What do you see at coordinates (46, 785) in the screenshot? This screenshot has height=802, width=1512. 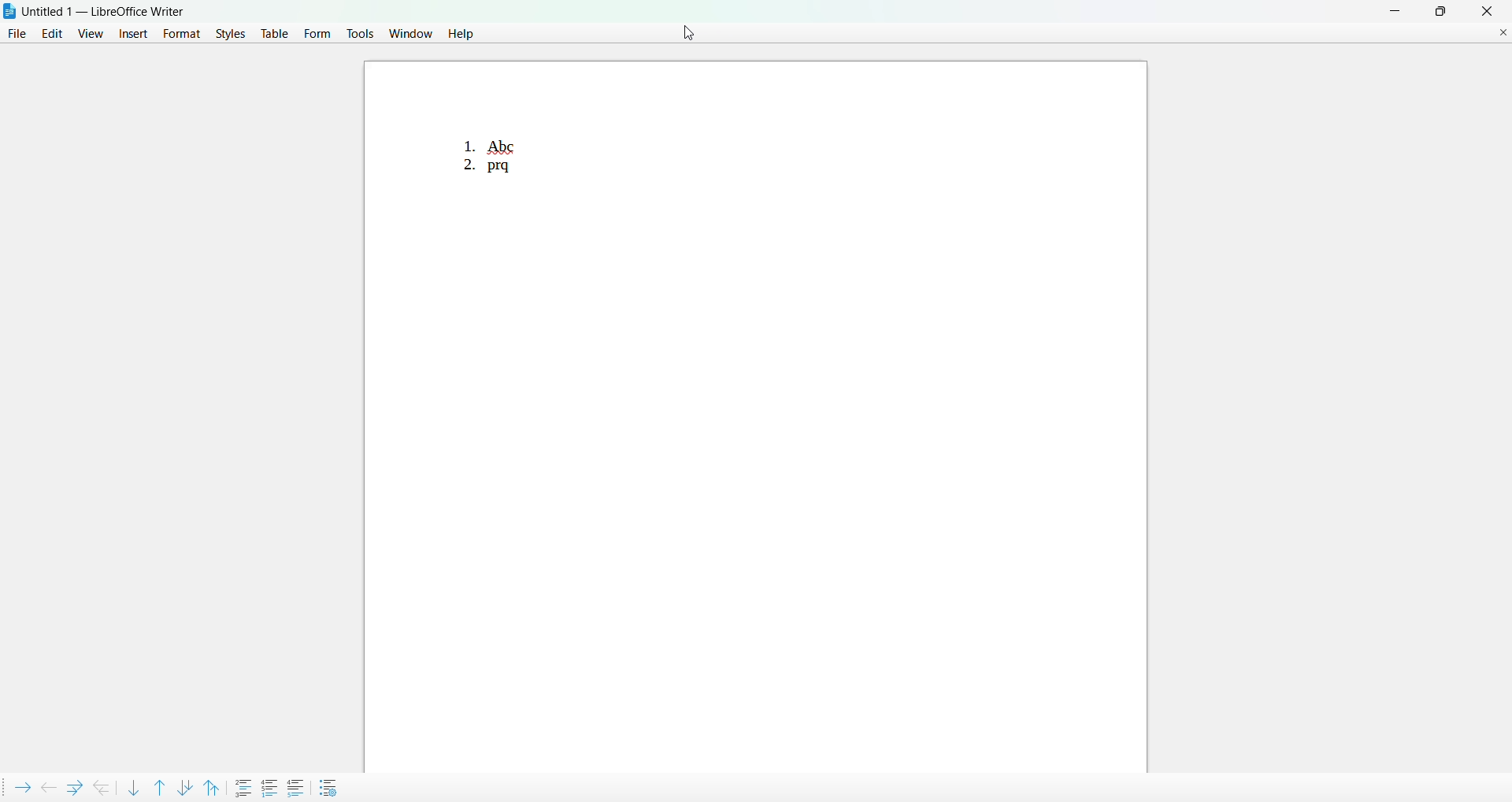 I see `promote outline level` at bounding box center [46, 785].